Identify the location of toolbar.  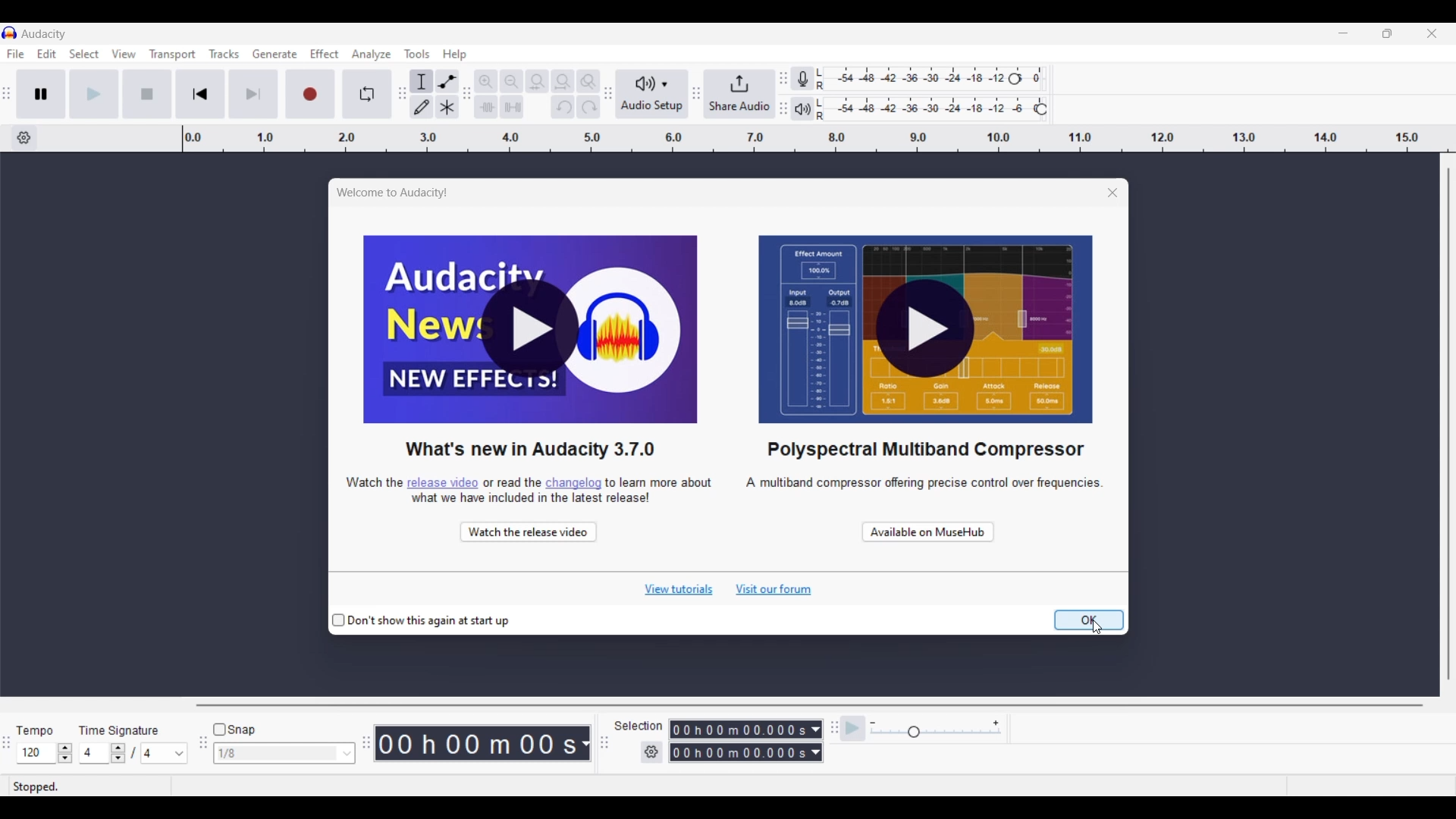
(9, 743).